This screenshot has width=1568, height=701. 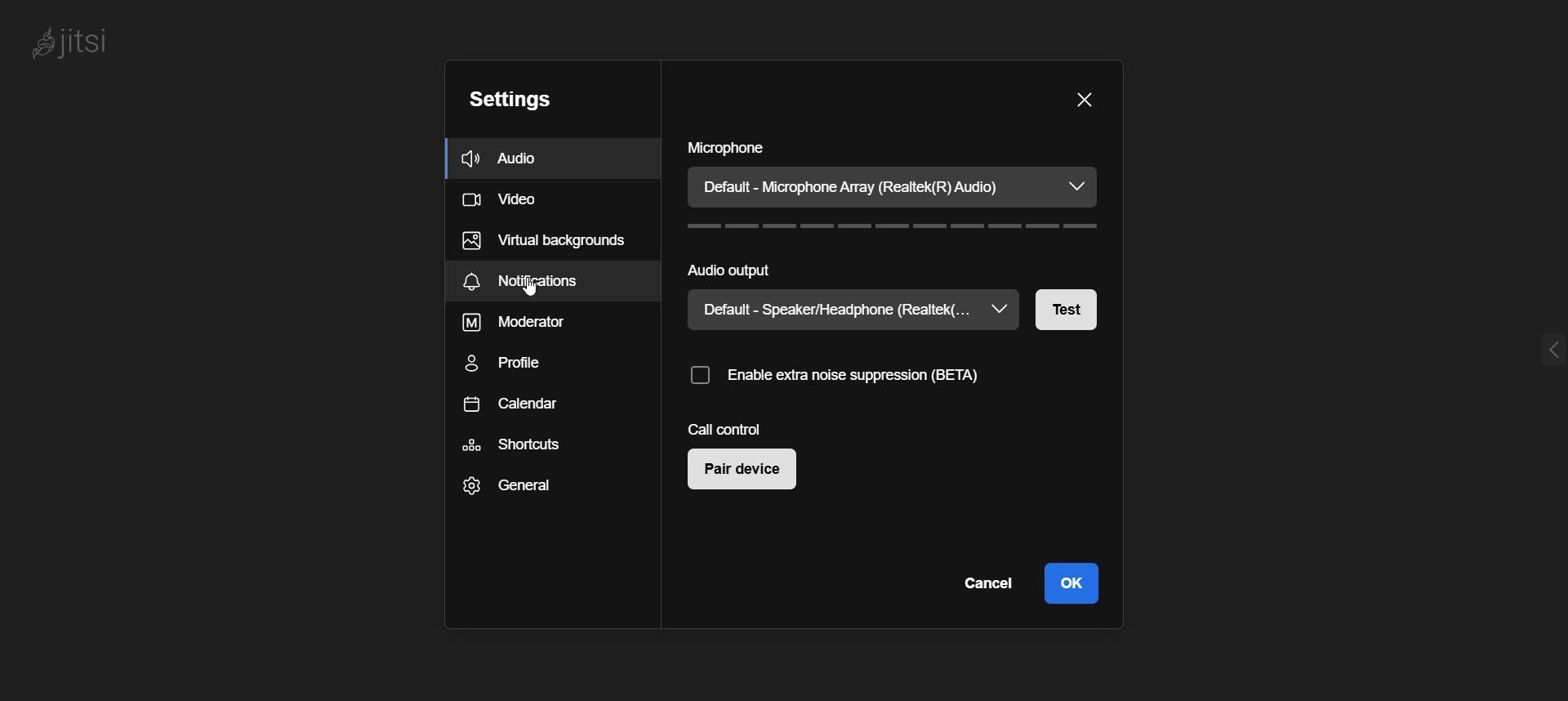 What do you see at coordinates (1084, 99) in the screenshot?
I see `Close Setting` at bounding box center [1084, 99].